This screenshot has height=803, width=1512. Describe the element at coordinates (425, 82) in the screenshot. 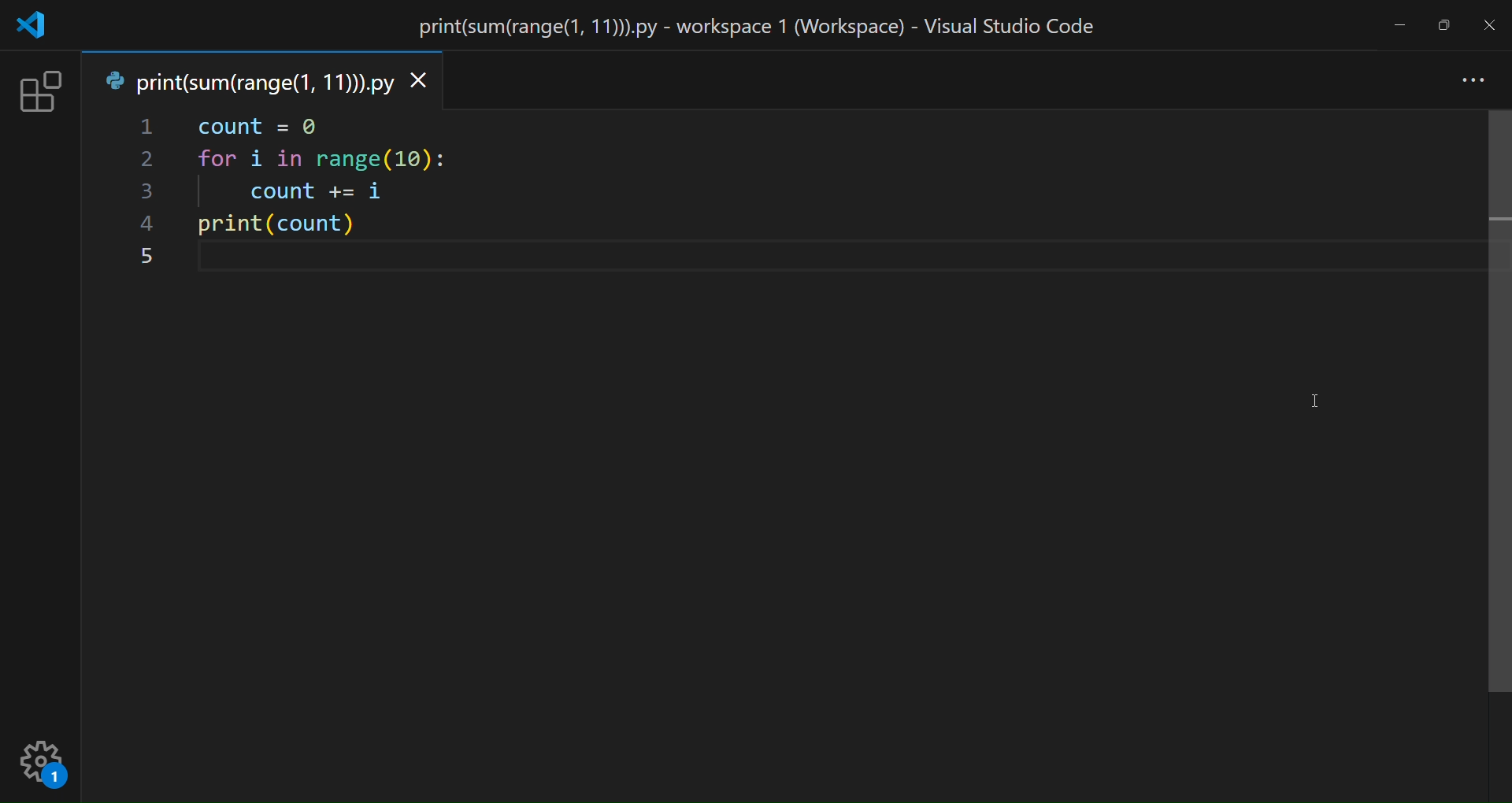

I see `close tab` at that location.